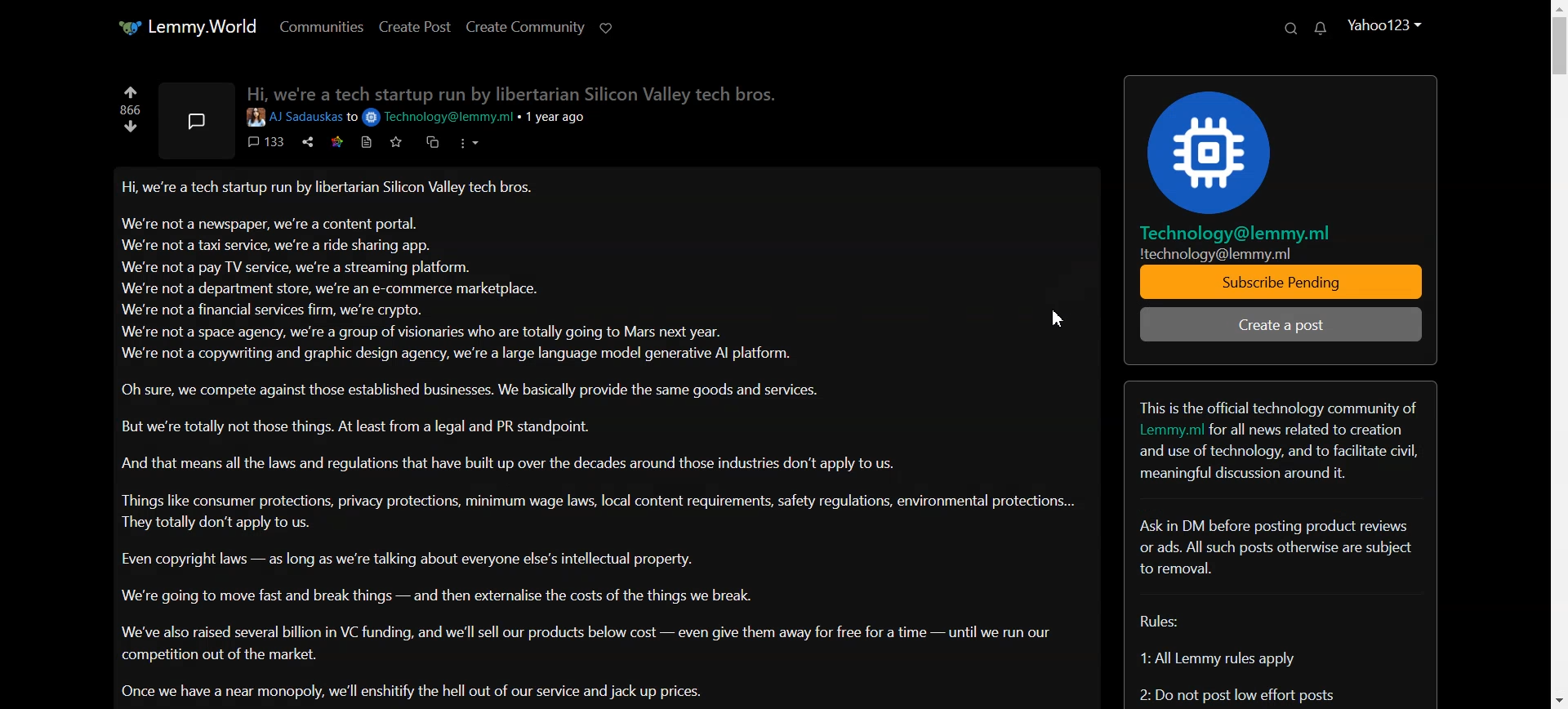 The width and height of the screenshot is (1568, 709). I want to click on Support limmy, so click(607, 26).